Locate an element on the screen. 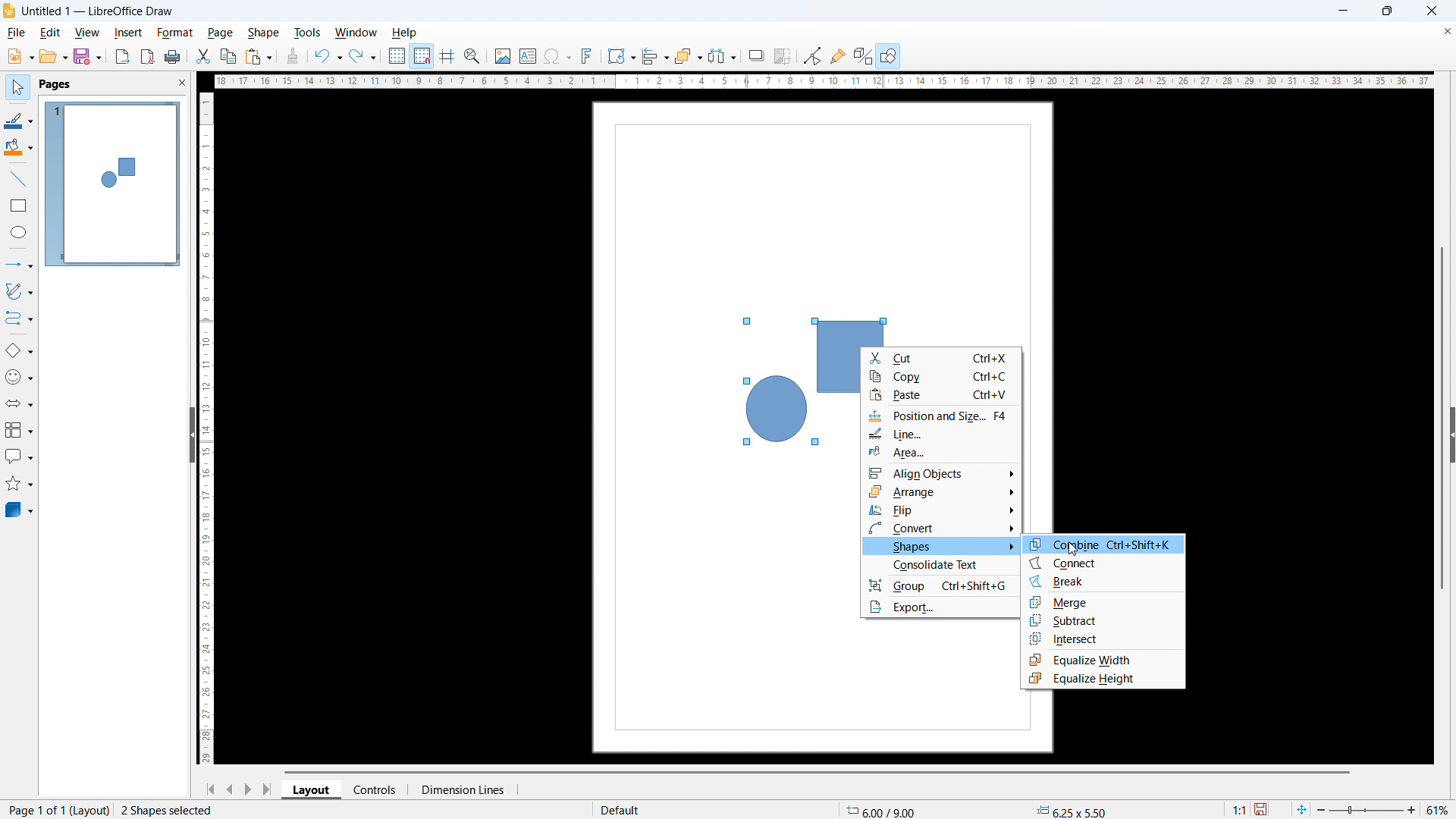  paste is located at coordinates (941, 394).